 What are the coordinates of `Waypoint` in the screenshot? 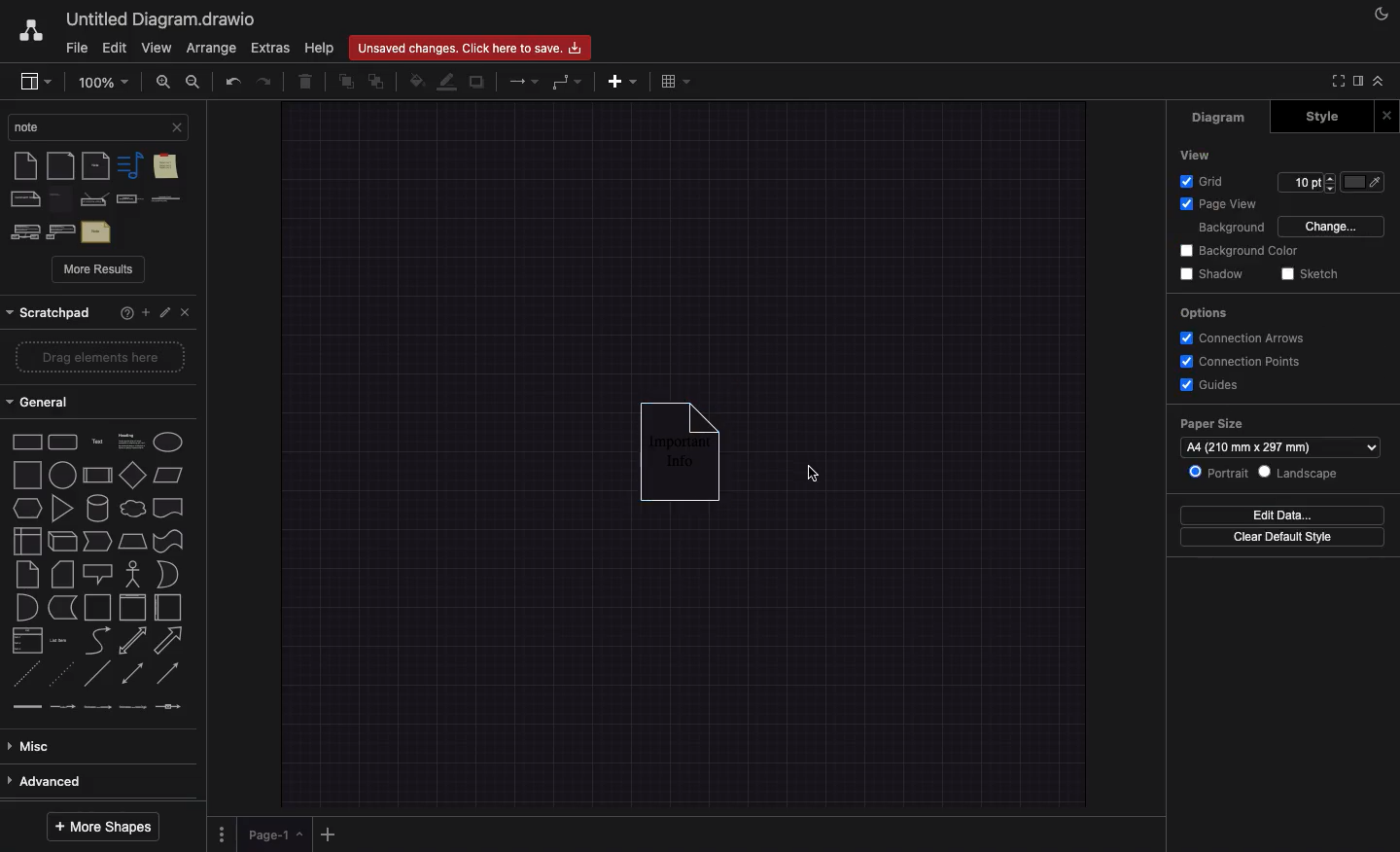 It's located at (566, 83).